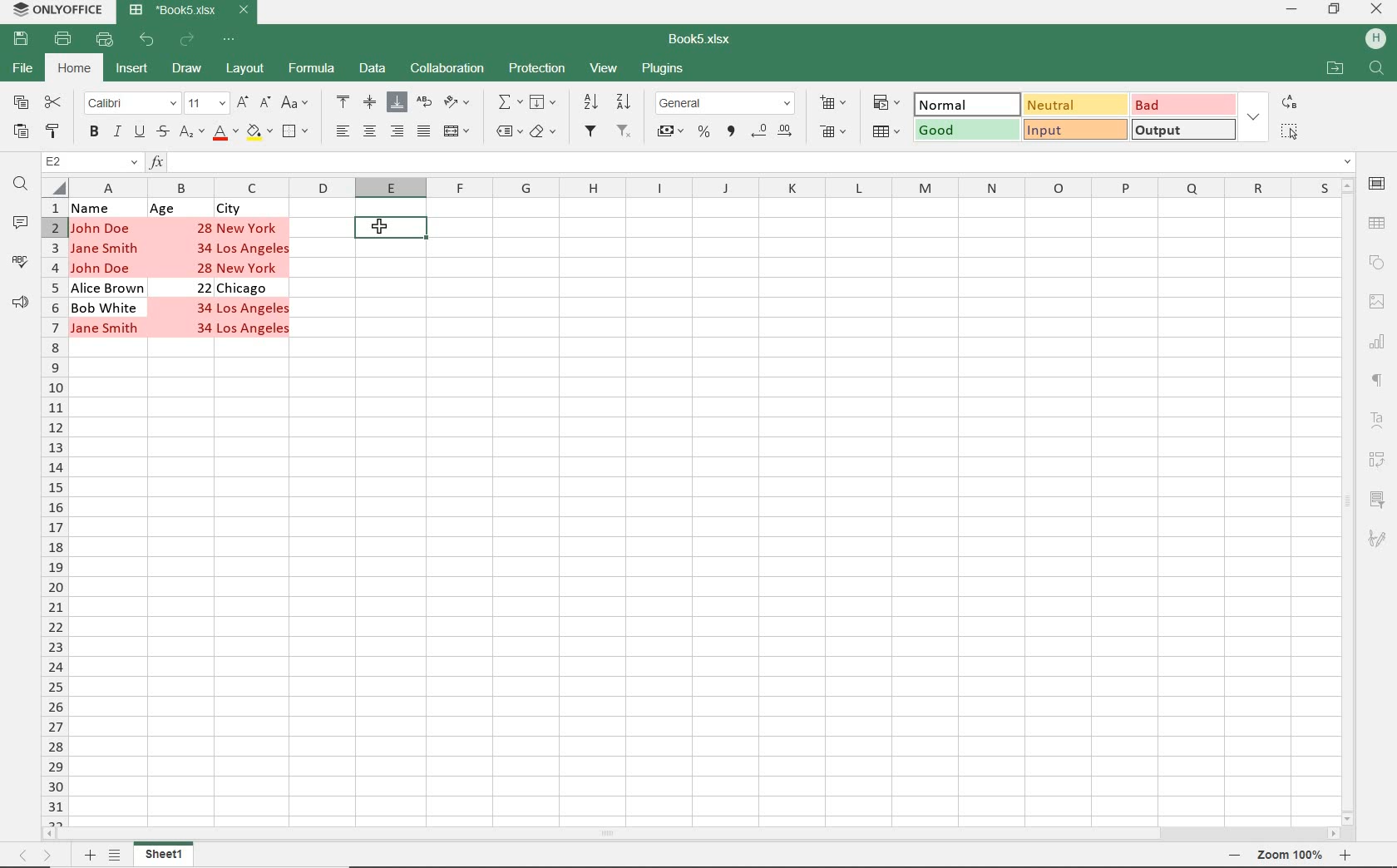 The width and height of the screenshot is (1397, 868). What do you see at coordinates (139, 133) in the screenshot?
I see `UNDERLINE` at bounding box center [139, 133].